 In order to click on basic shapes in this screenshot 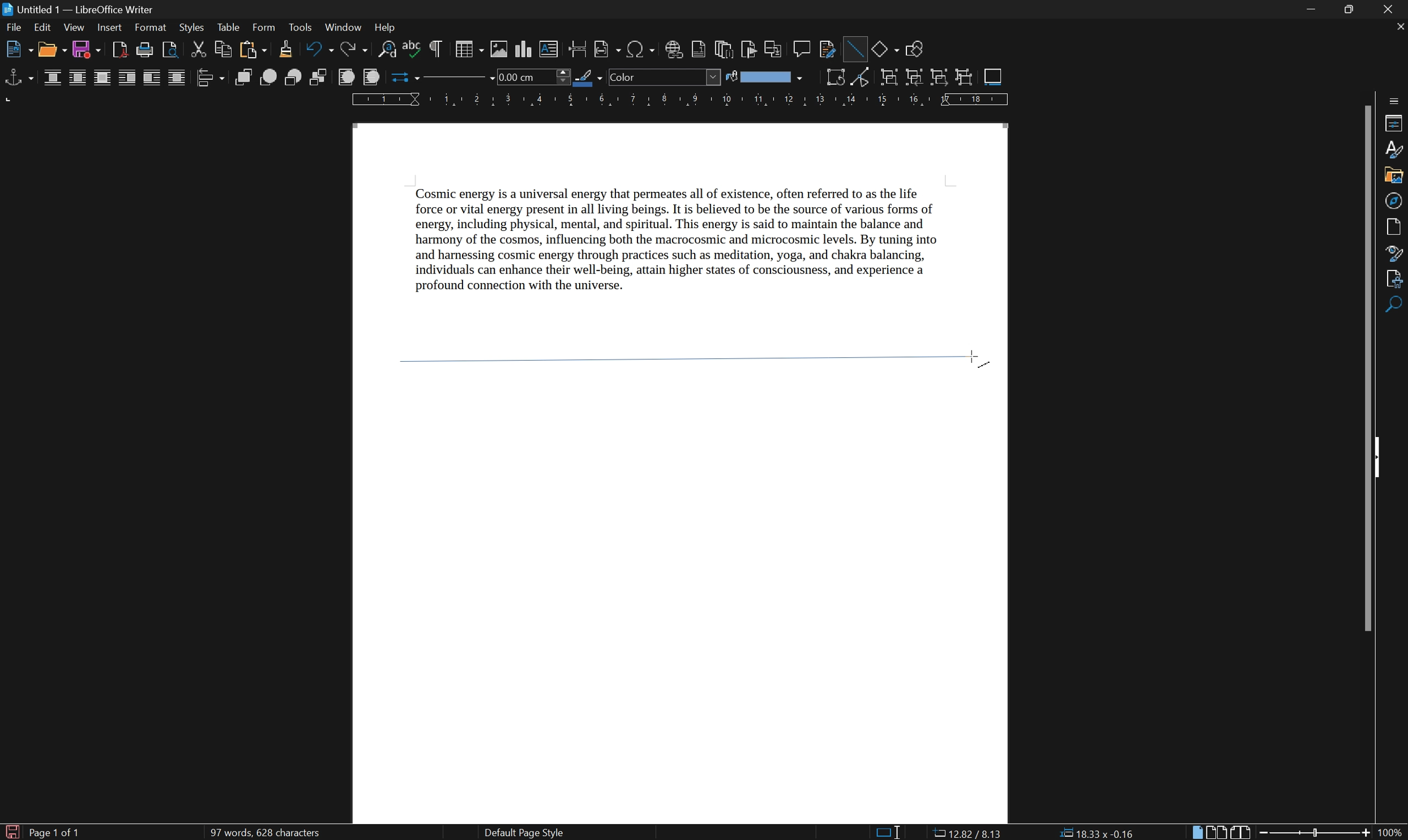, I will do `click(885, 48)`.